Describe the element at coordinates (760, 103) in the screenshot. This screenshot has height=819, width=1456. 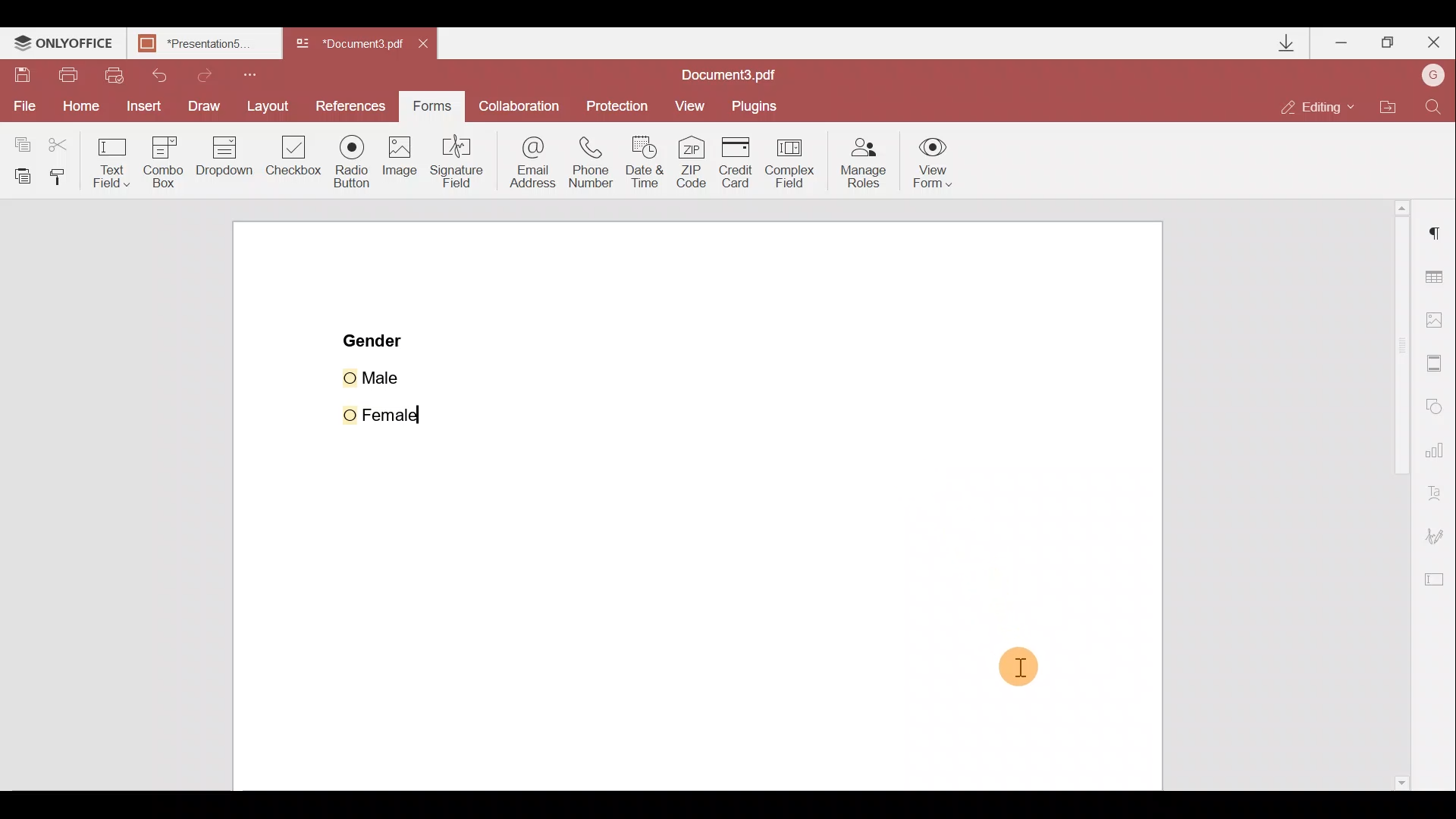
I see `Plugins` at that location.